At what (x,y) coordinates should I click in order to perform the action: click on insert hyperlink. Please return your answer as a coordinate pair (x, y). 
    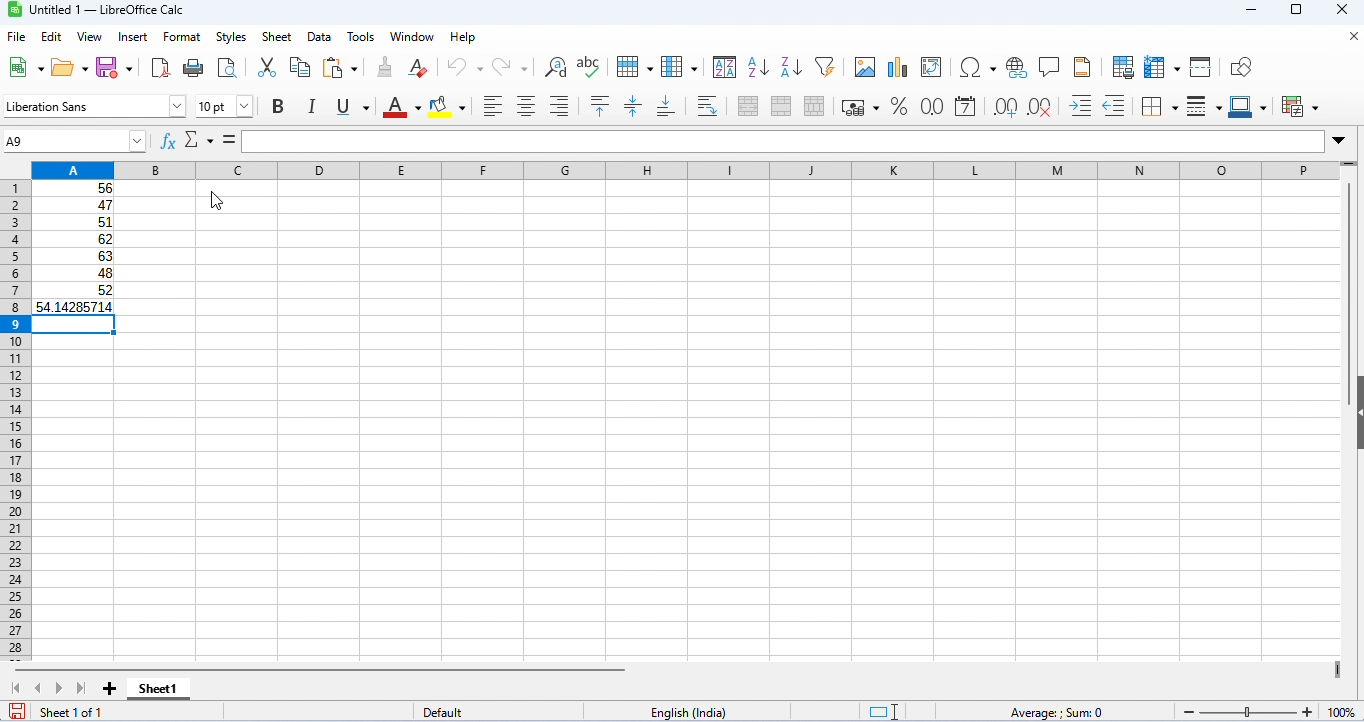
    Looking at the image, I should click on (1018, 68).